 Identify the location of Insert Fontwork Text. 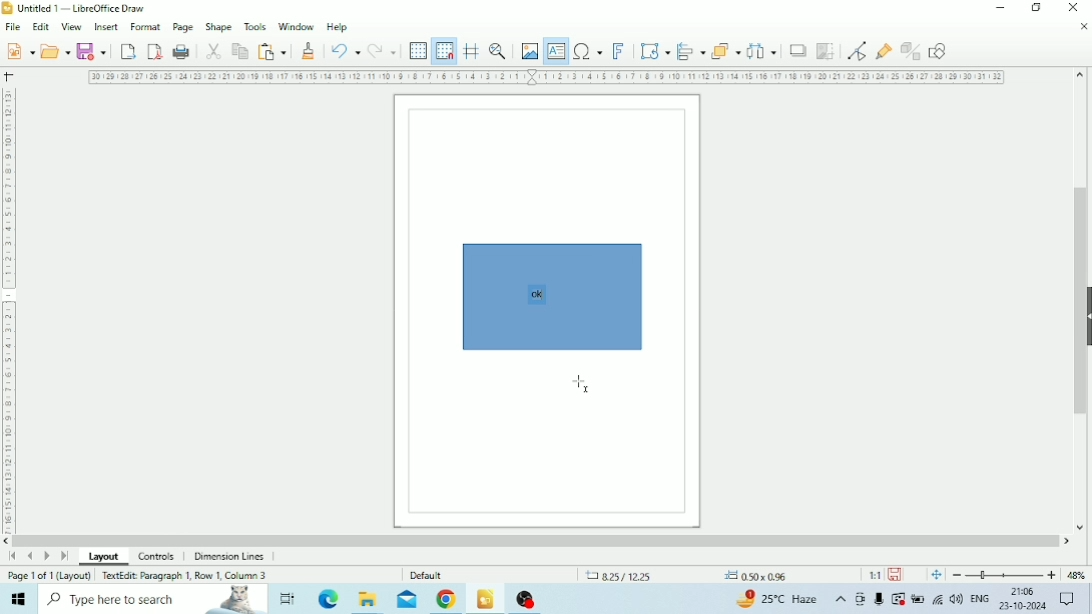
(620, 52).